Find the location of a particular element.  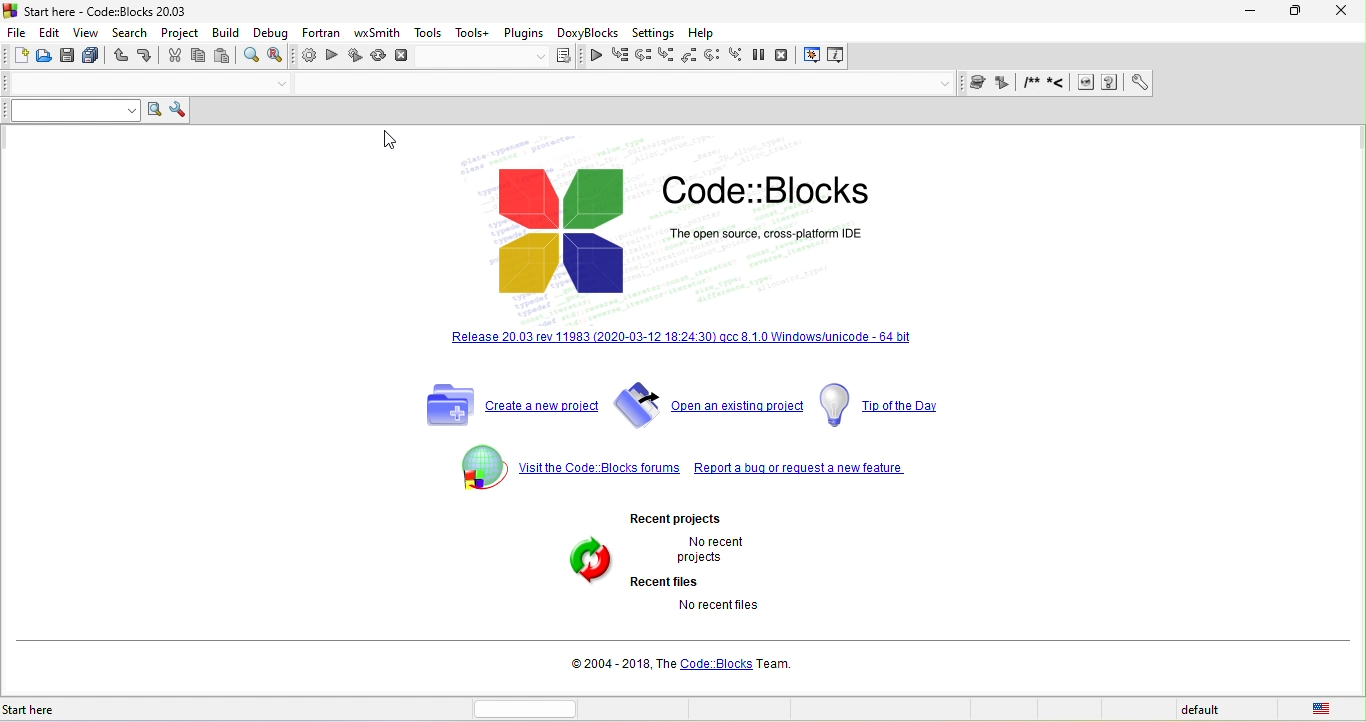

step out is located at coordinates (689, 57).